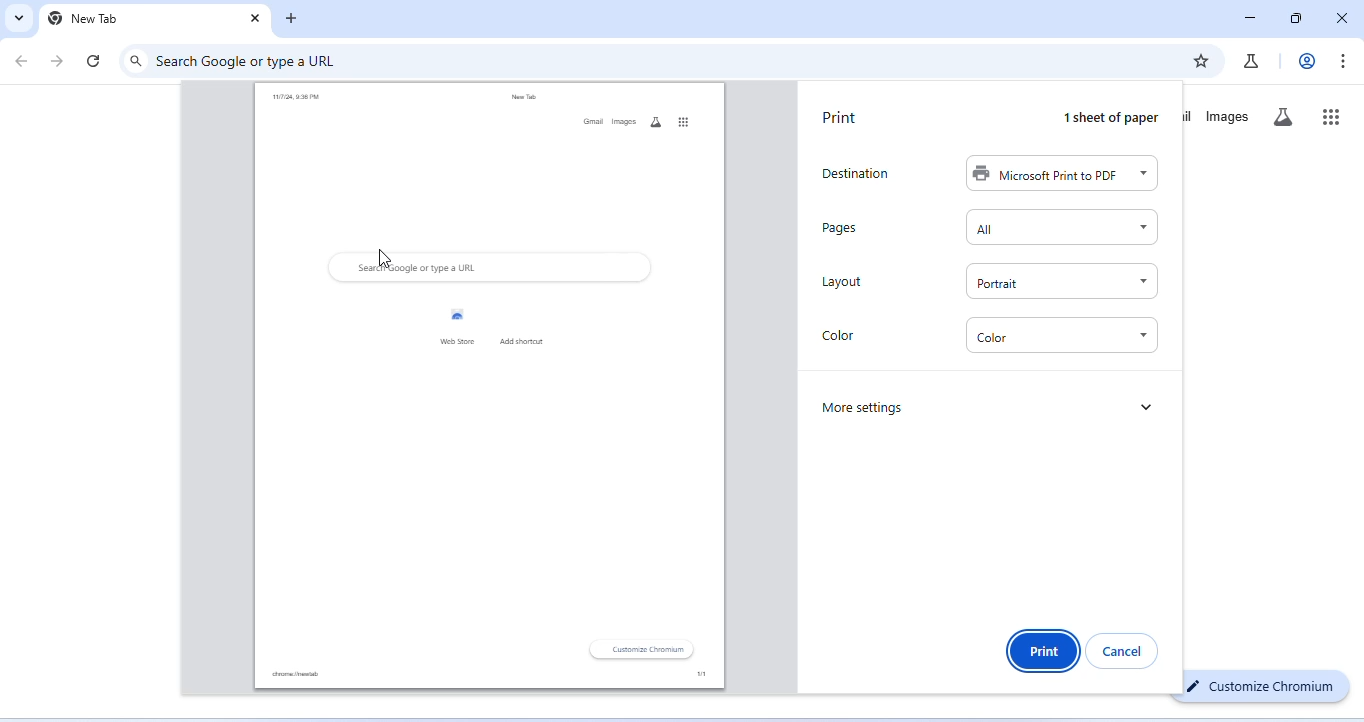  I want to click on print, so click(1041, 649).